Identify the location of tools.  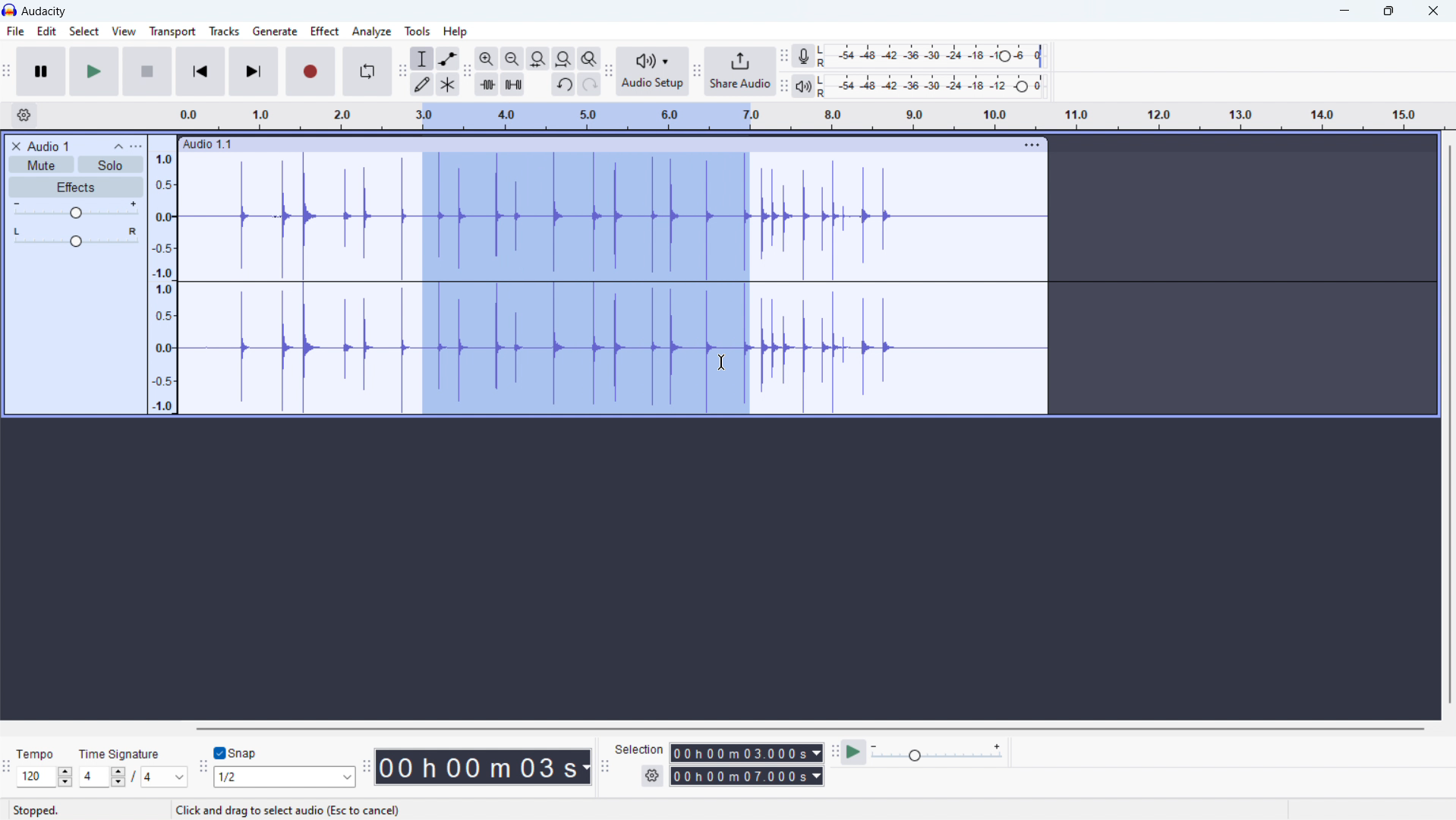
(418, 30).